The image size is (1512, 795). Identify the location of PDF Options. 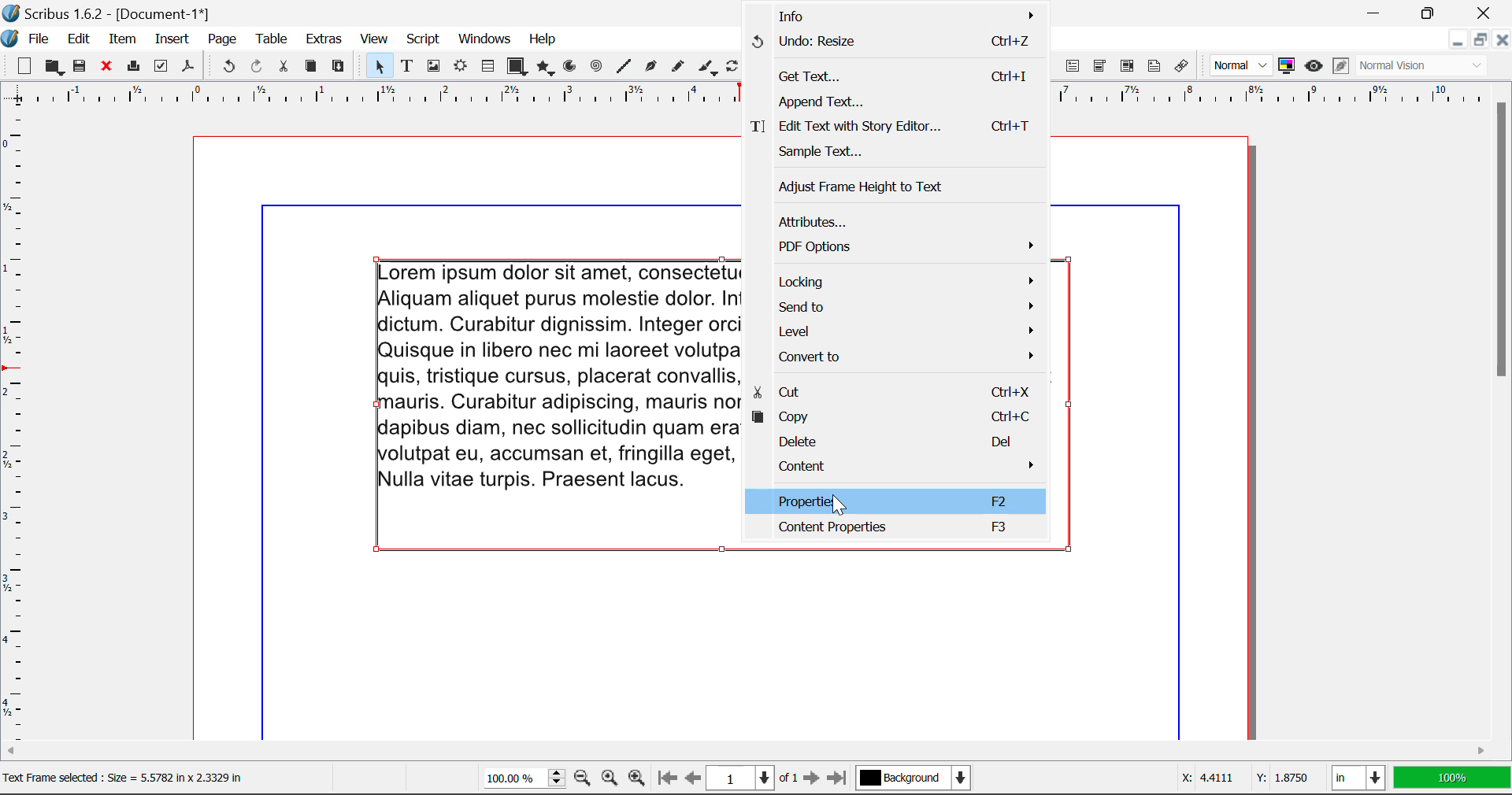
(896, 249).